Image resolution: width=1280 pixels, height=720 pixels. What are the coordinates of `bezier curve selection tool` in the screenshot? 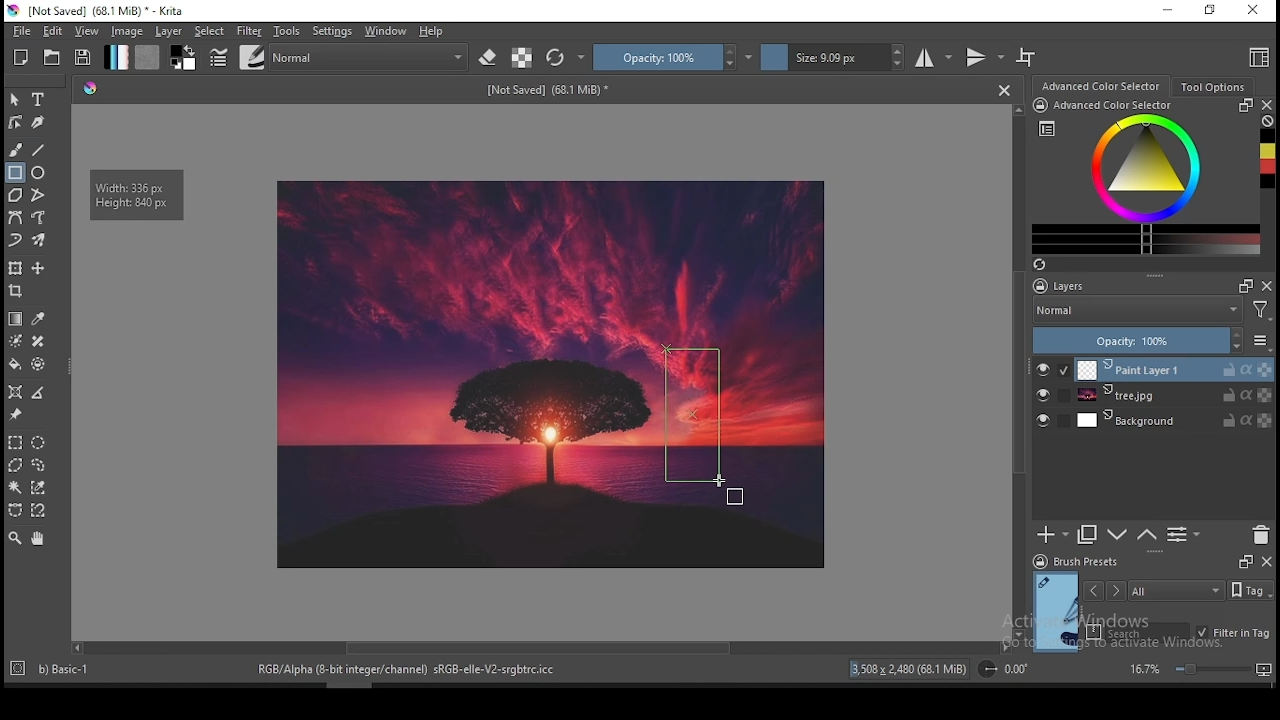 It's located at (13, 511).